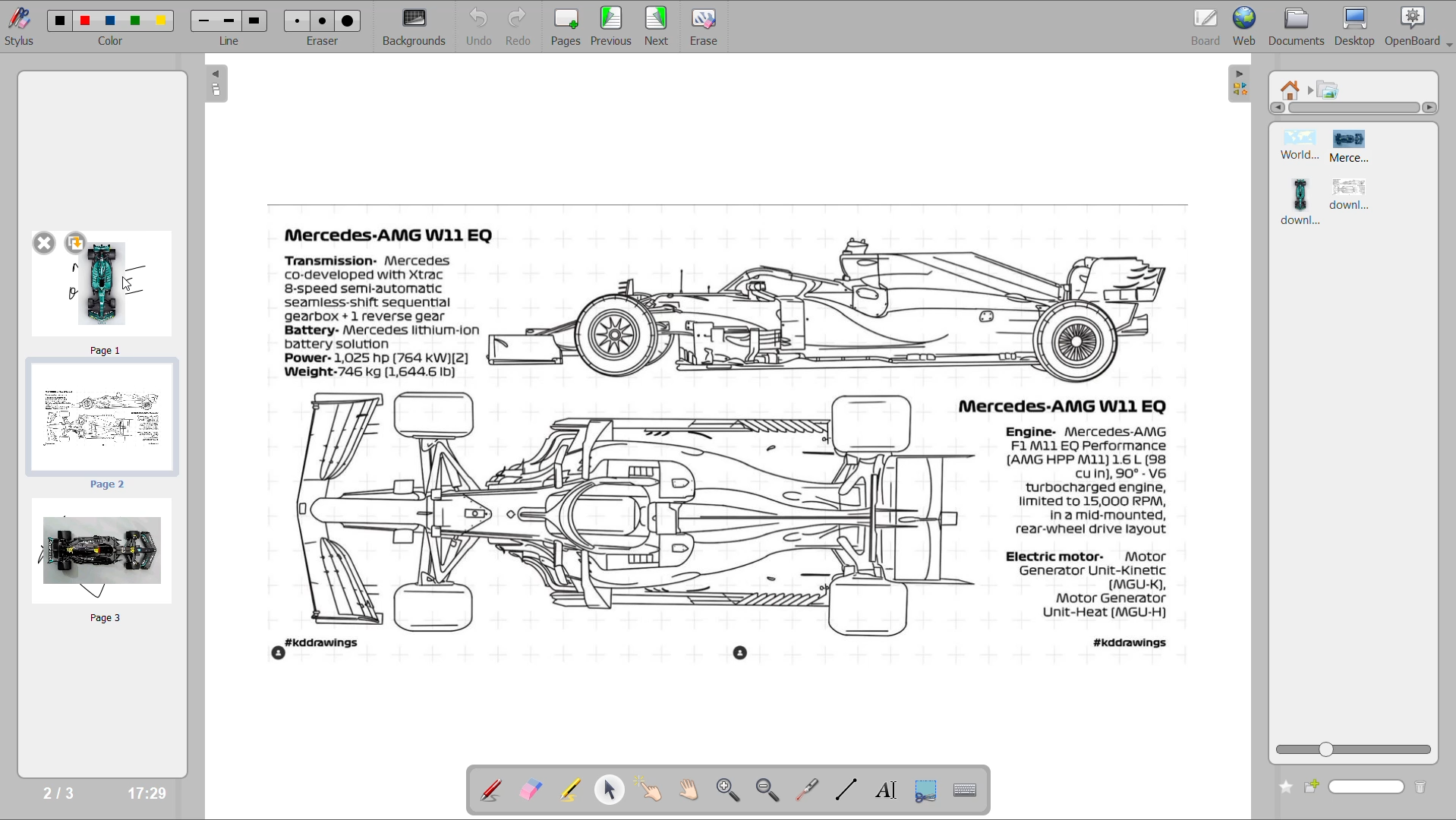 Image resolution: width=1456 pixels, height=820 pixels. What do you see at coordinates (1354, 109) in the screenshot?
I see `horizontal scroll bar` at bounding box center [1354, 109].